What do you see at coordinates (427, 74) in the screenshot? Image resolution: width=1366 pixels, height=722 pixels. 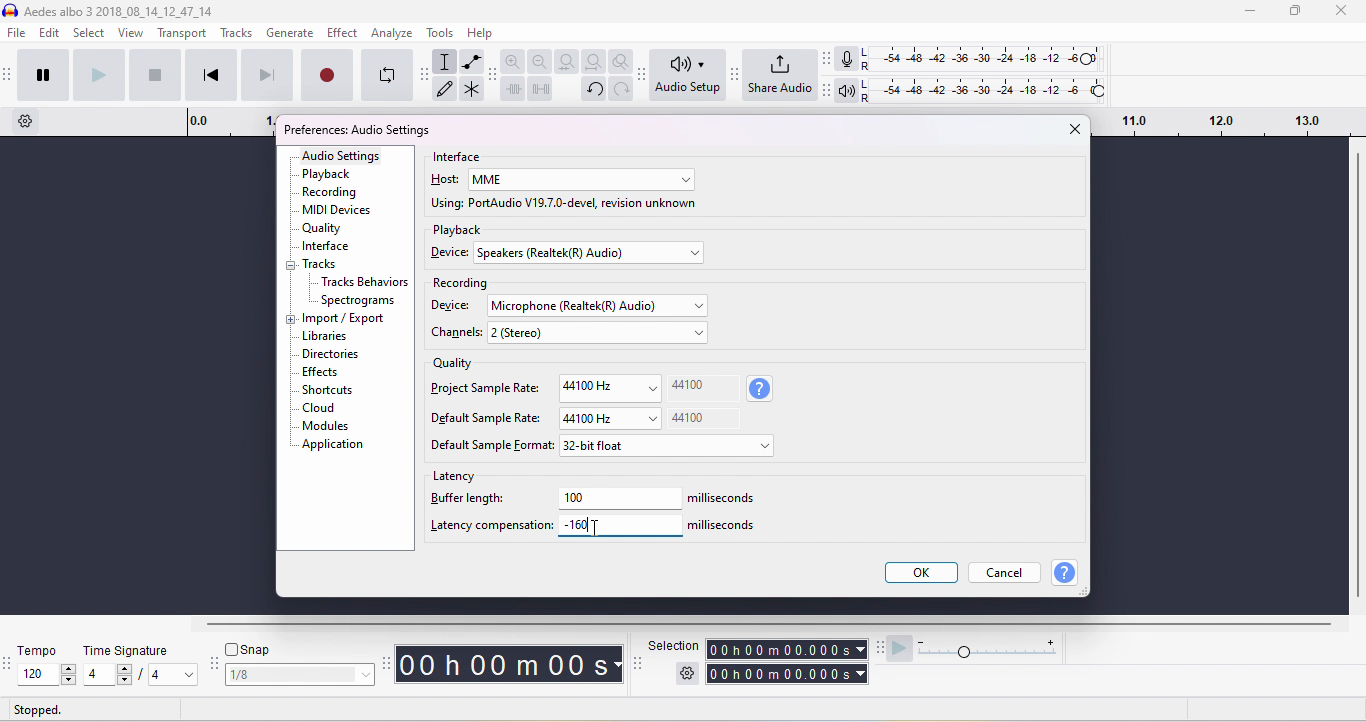 I see `audacity tools toolbar` at bounding box center [427, 74].